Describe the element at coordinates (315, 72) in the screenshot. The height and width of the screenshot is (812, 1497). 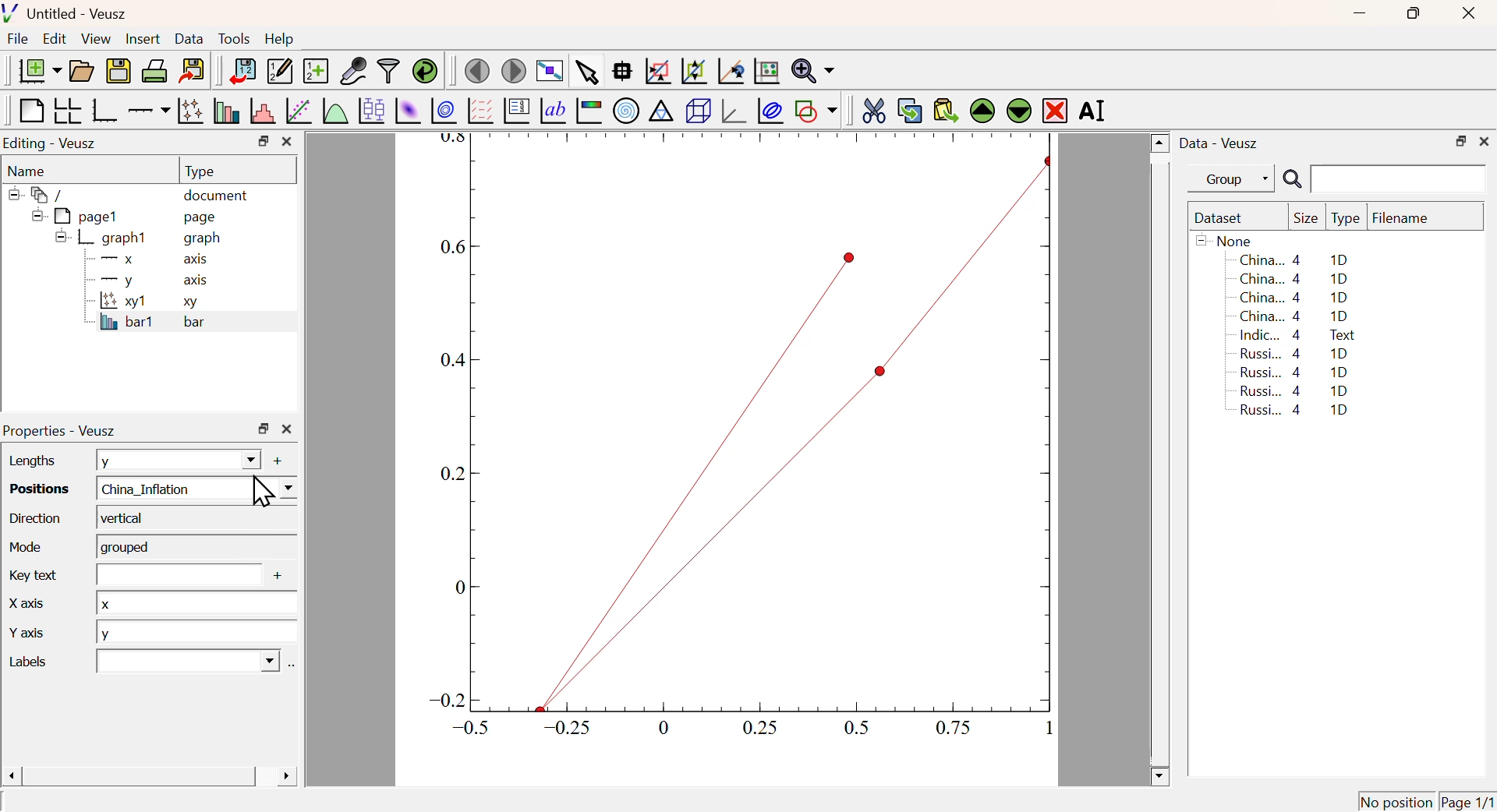
I see `Create new dataset` at that location.